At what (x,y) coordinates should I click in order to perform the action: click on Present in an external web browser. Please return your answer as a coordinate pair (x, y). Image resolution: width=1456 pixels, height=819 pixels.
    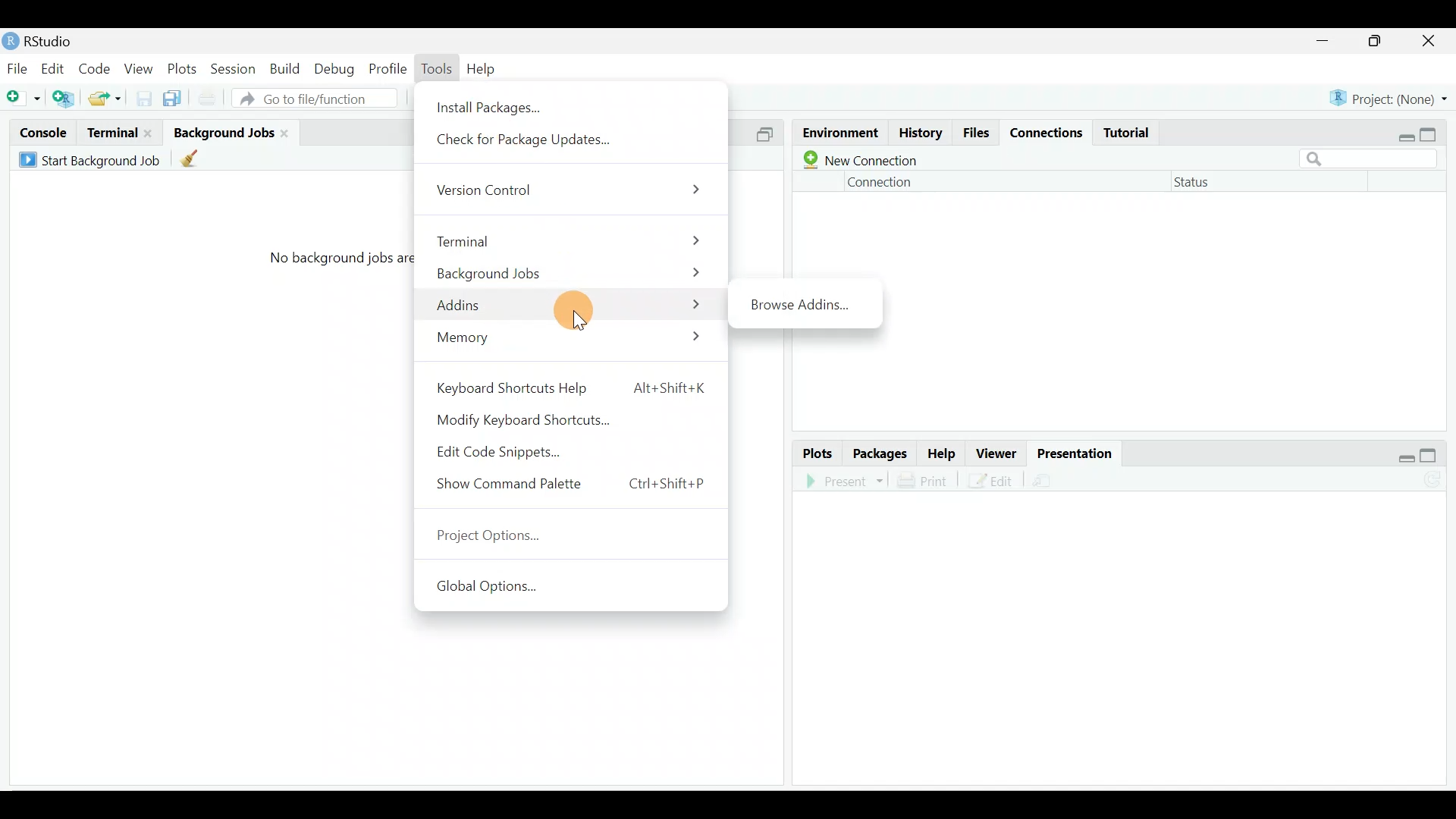
    Looking at the image, I should click on (845, 482).